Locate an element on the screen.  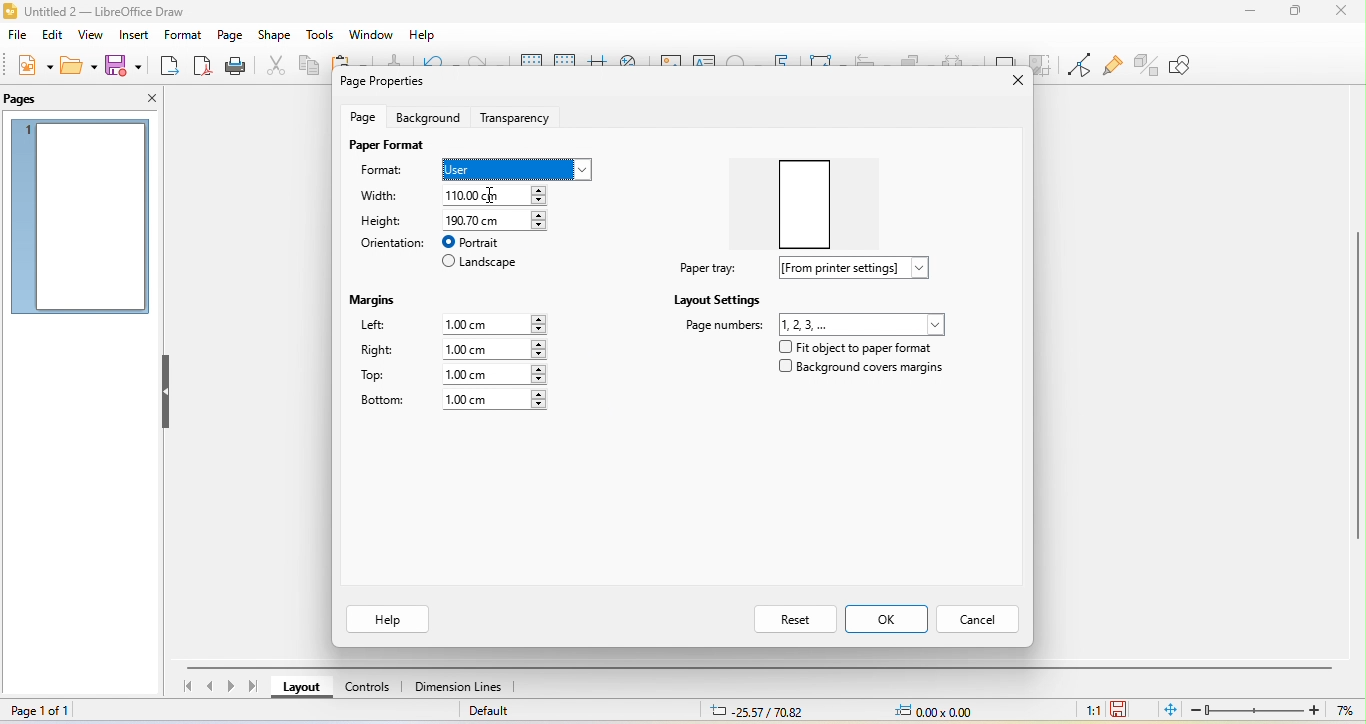
export is located at coordinates (170, 67).